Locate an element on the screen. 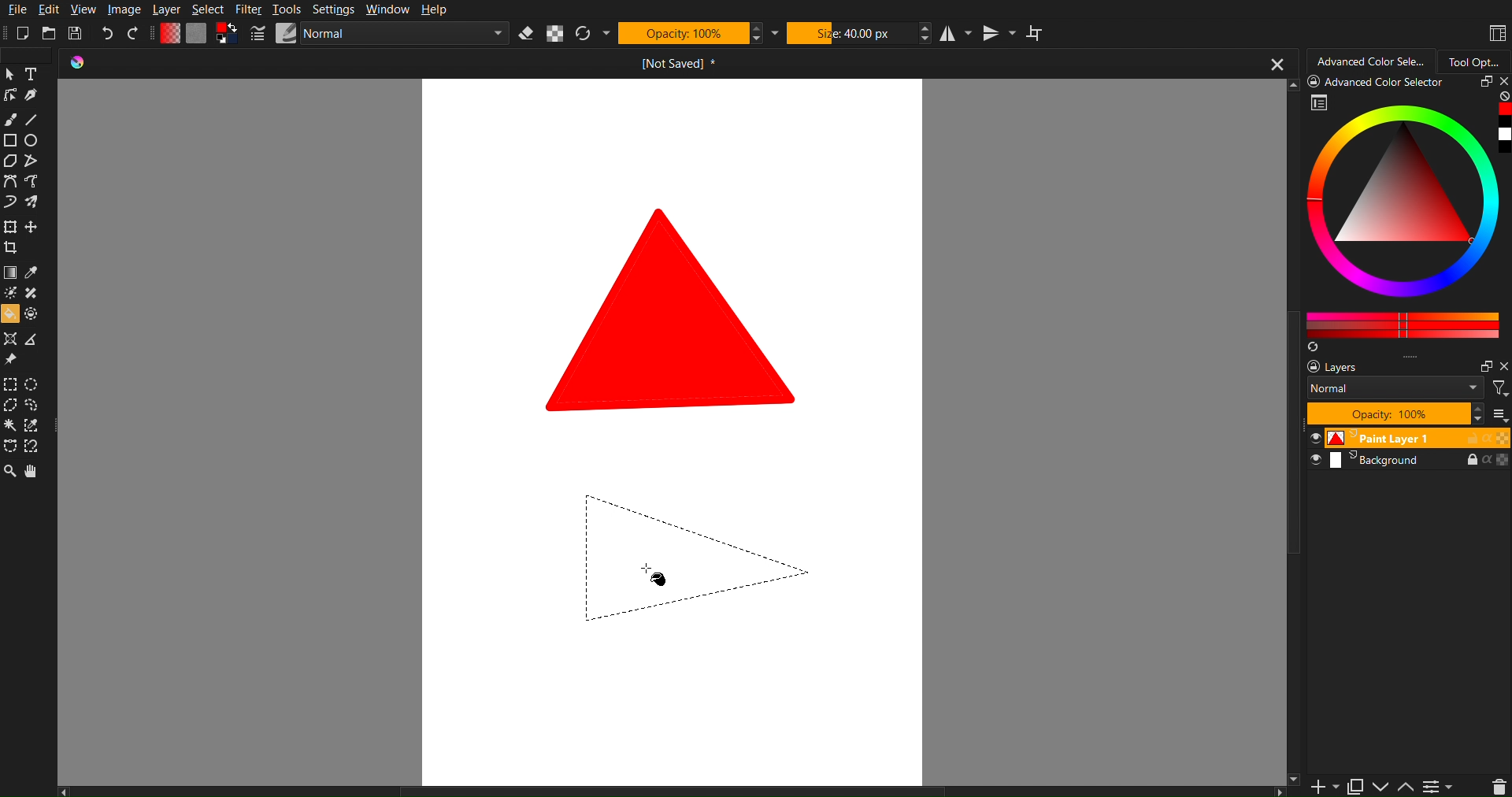 This screenshot has height=797, width=1512. Brush Settings is located at coordinates (379, 35).